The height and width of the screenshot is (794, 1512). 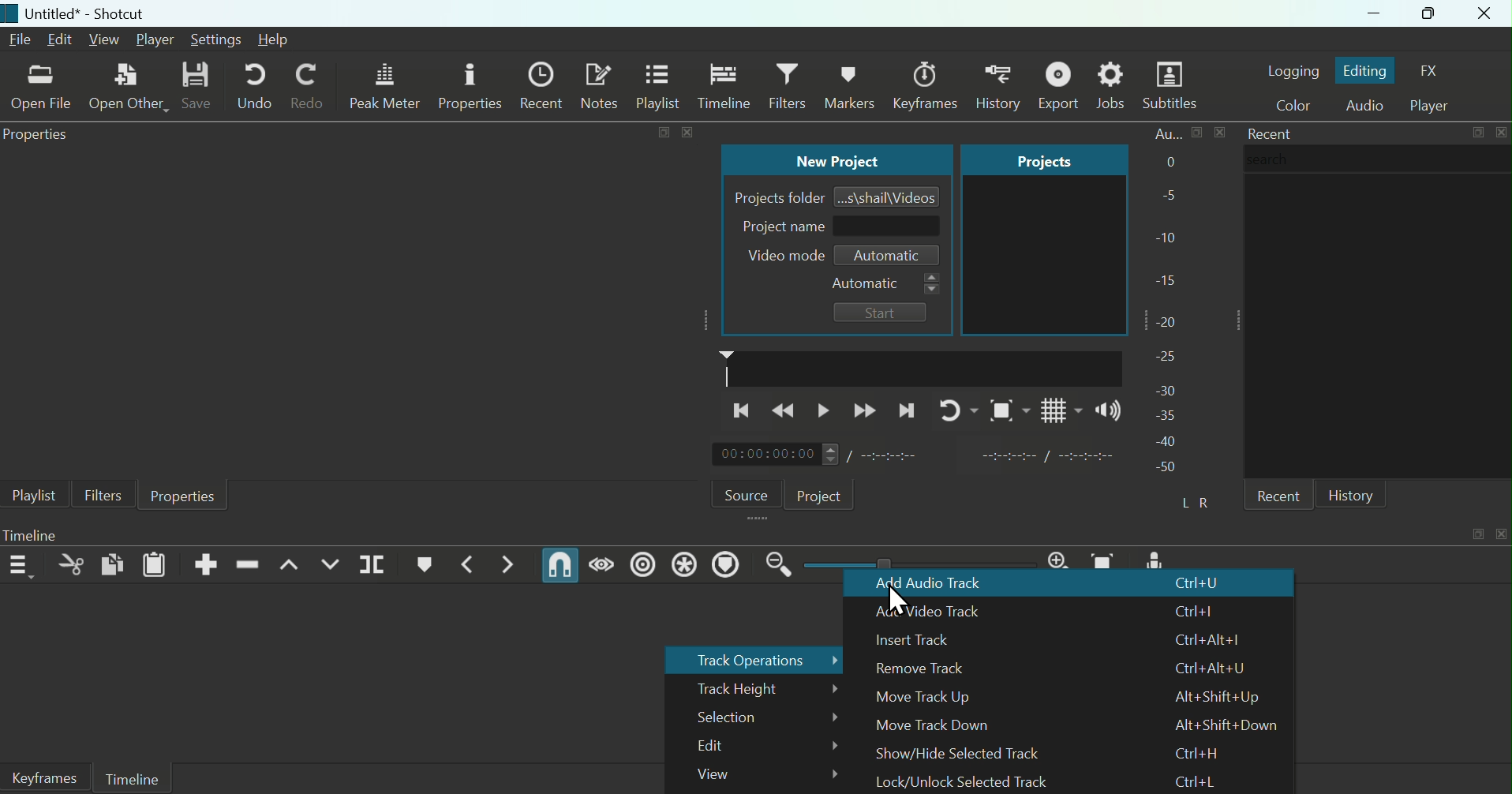 What do you see at coordinates (1168, 276) in the screenshot?
I see `-15` at bounding box center [1168, 276].